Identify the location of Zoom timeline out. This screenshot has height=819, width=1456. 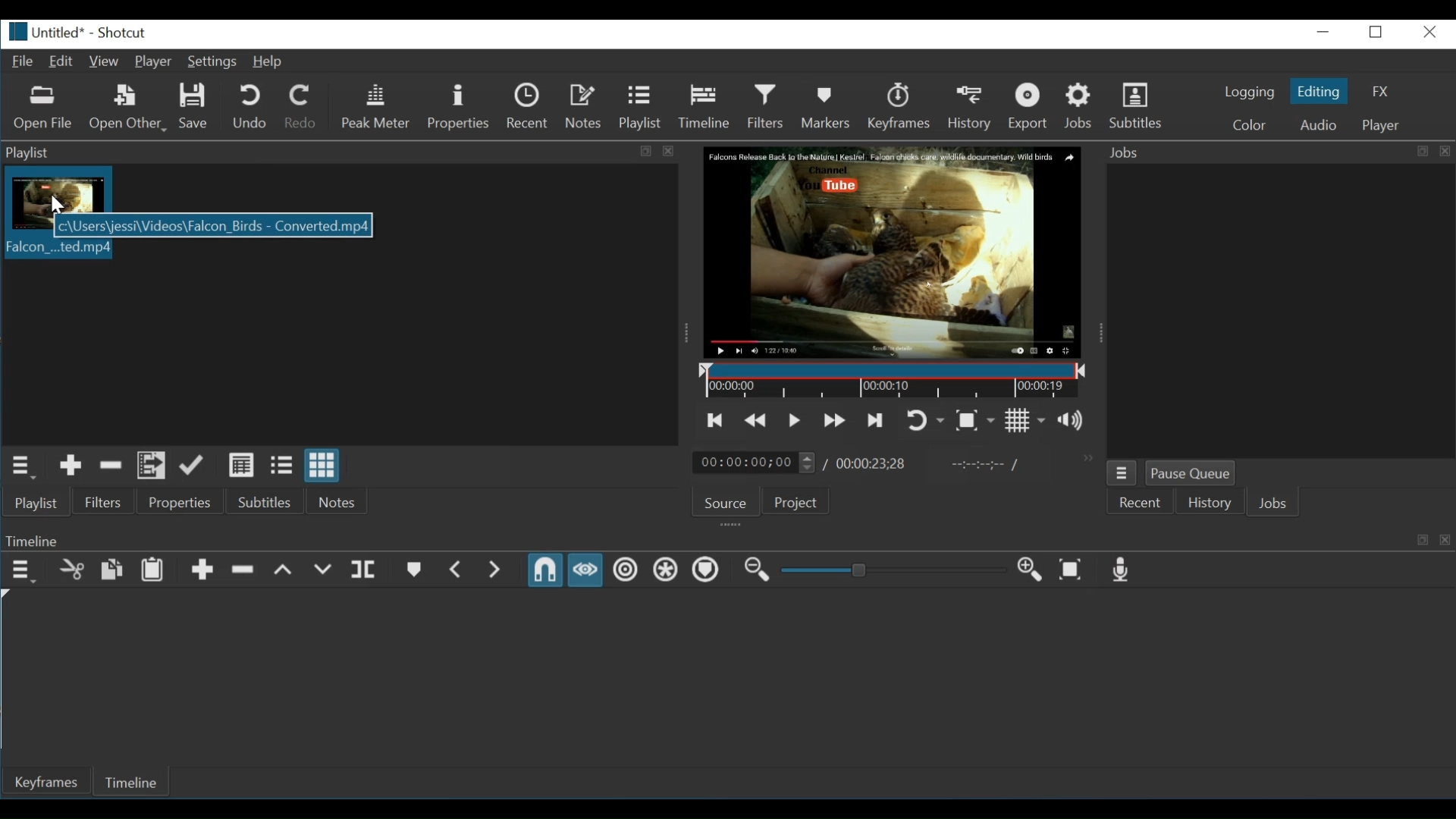
(756, 570).